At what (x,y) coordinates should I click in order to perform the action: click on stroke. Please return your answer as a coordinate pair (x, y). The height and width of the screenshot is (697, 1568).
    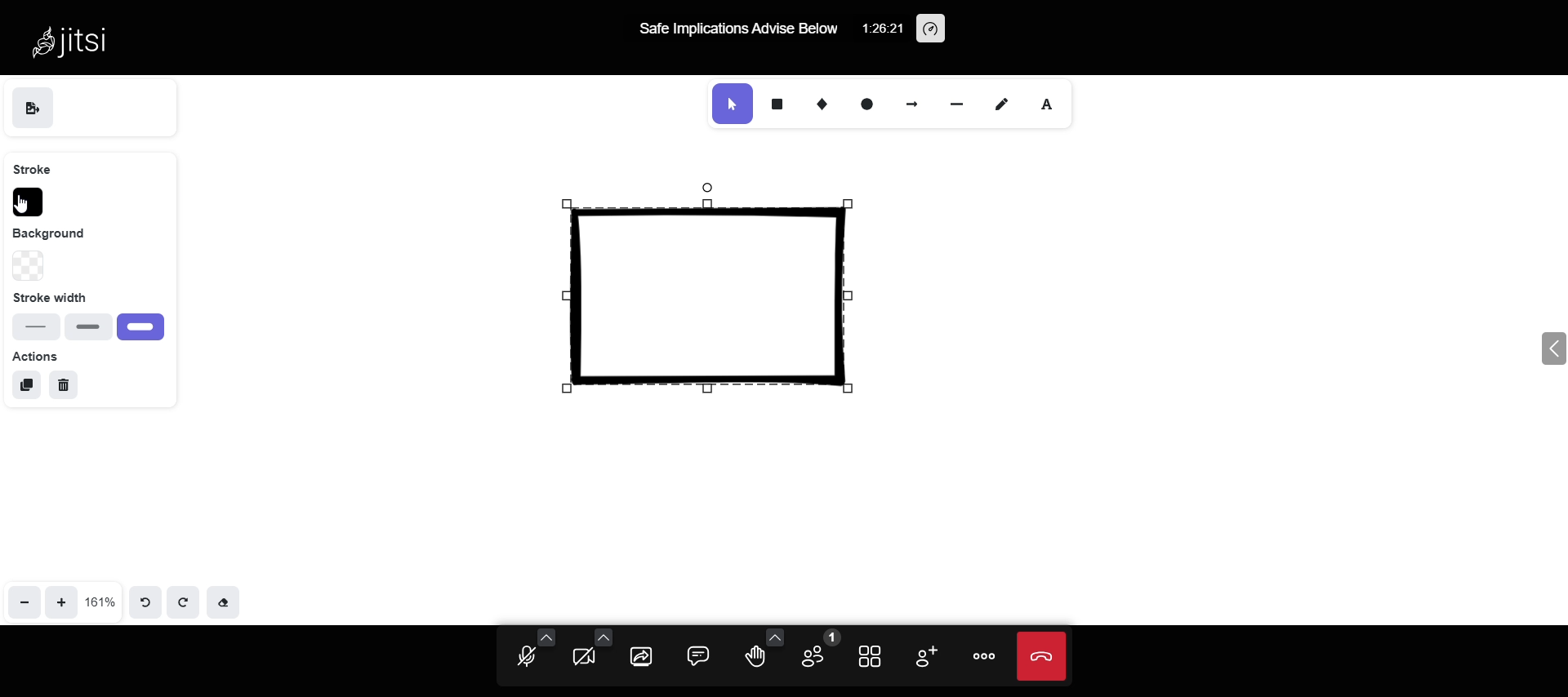
    Looking at the image, I should click on (40, 169).